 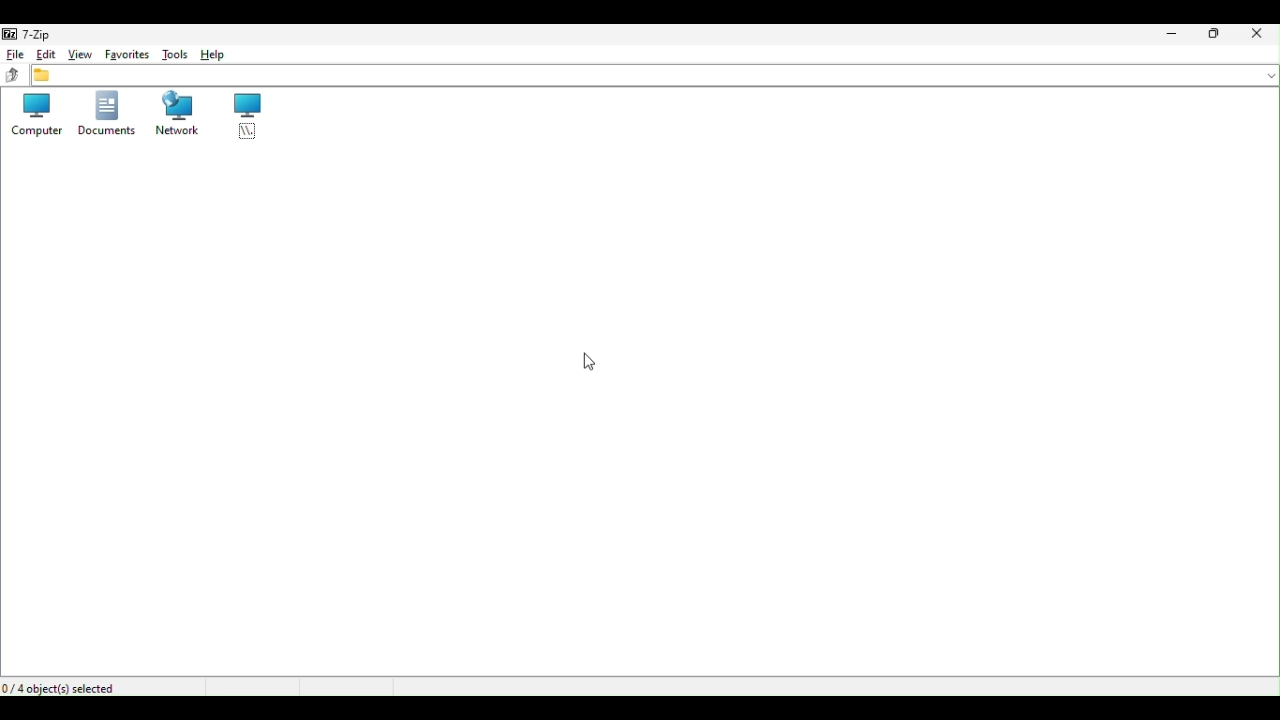 What do you see at coordinates (44, 55) in the screenshot?
I see `Edit` at bounding box center [44, 55].